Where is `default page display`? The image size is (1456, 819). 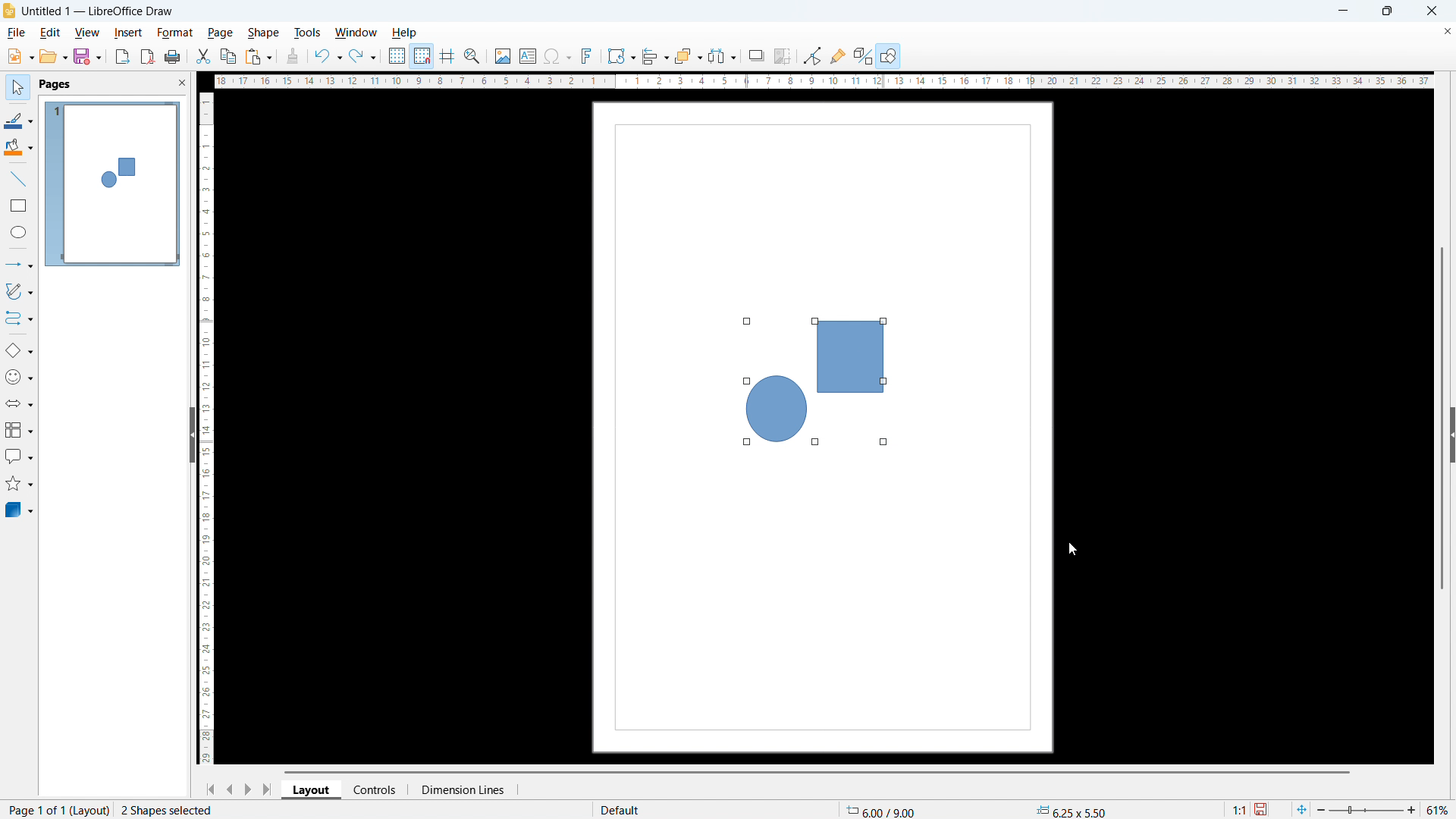
default page display is located at coordinates (619, 809).